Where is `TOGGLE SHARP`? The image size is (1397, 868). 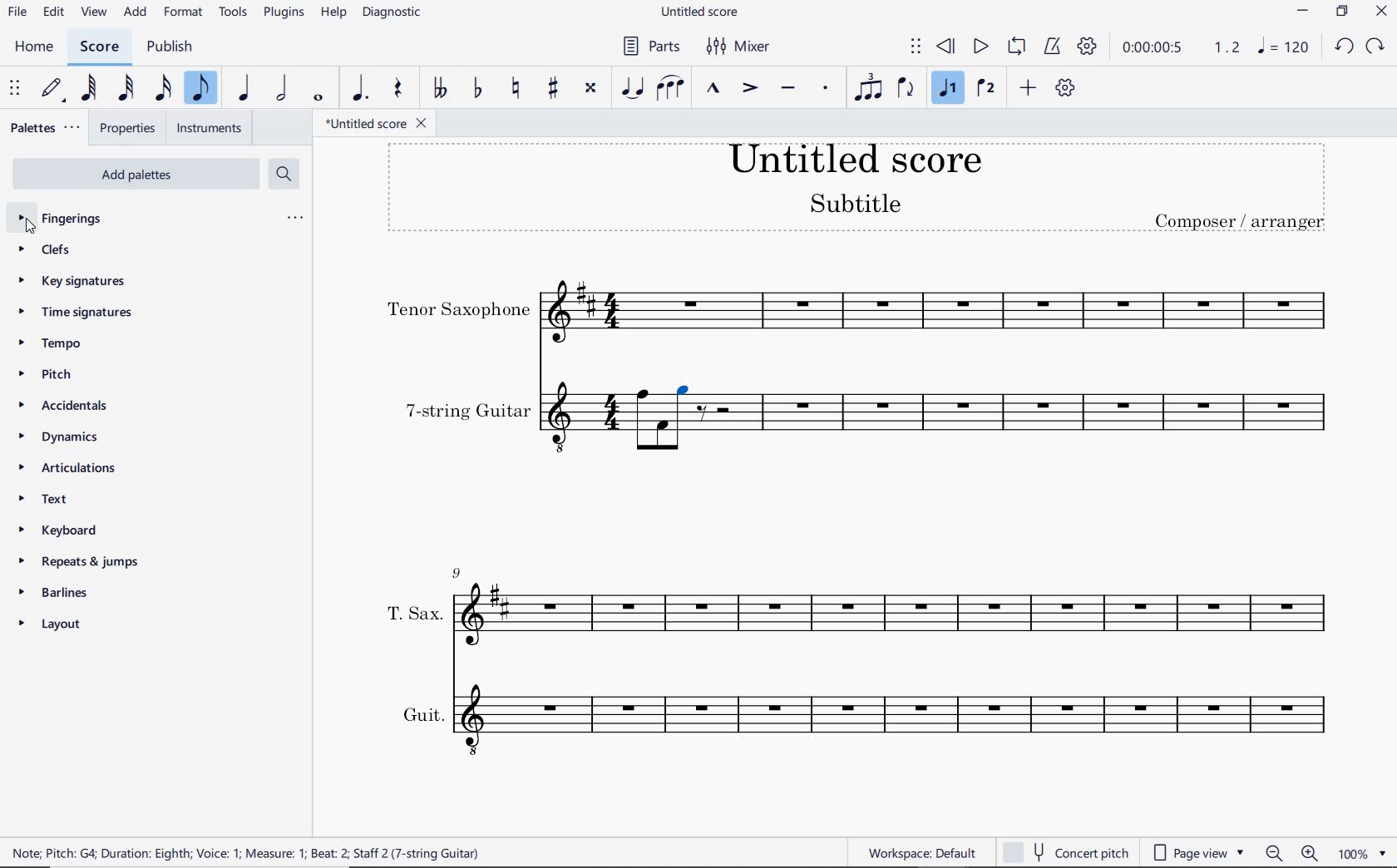
TOGGLE SHARP is located at coordinates (553, 87).